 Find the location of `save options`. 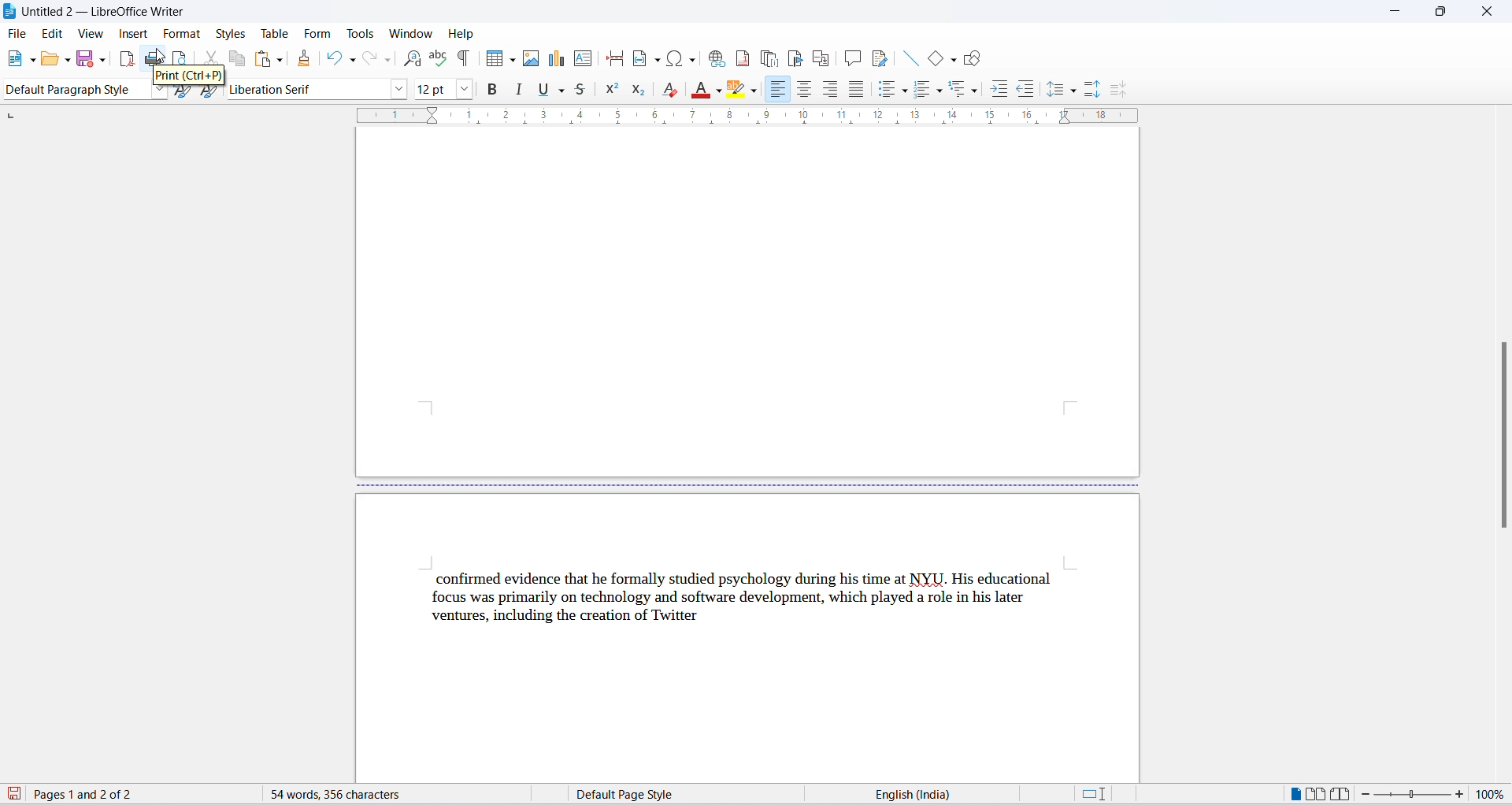

save options is located at coordinates (103, 58).